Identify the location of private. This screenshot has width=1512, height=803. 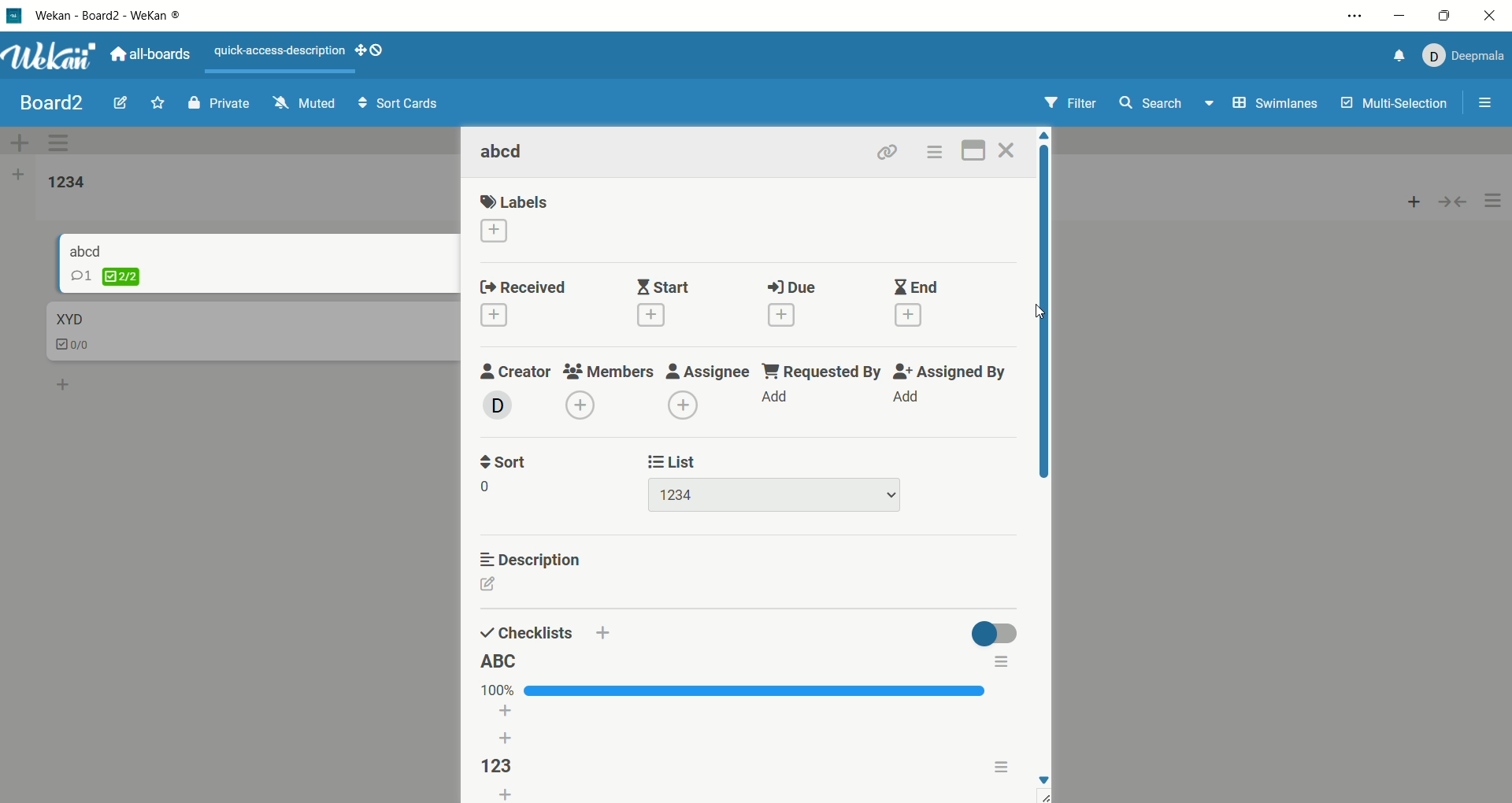
(219, 102).